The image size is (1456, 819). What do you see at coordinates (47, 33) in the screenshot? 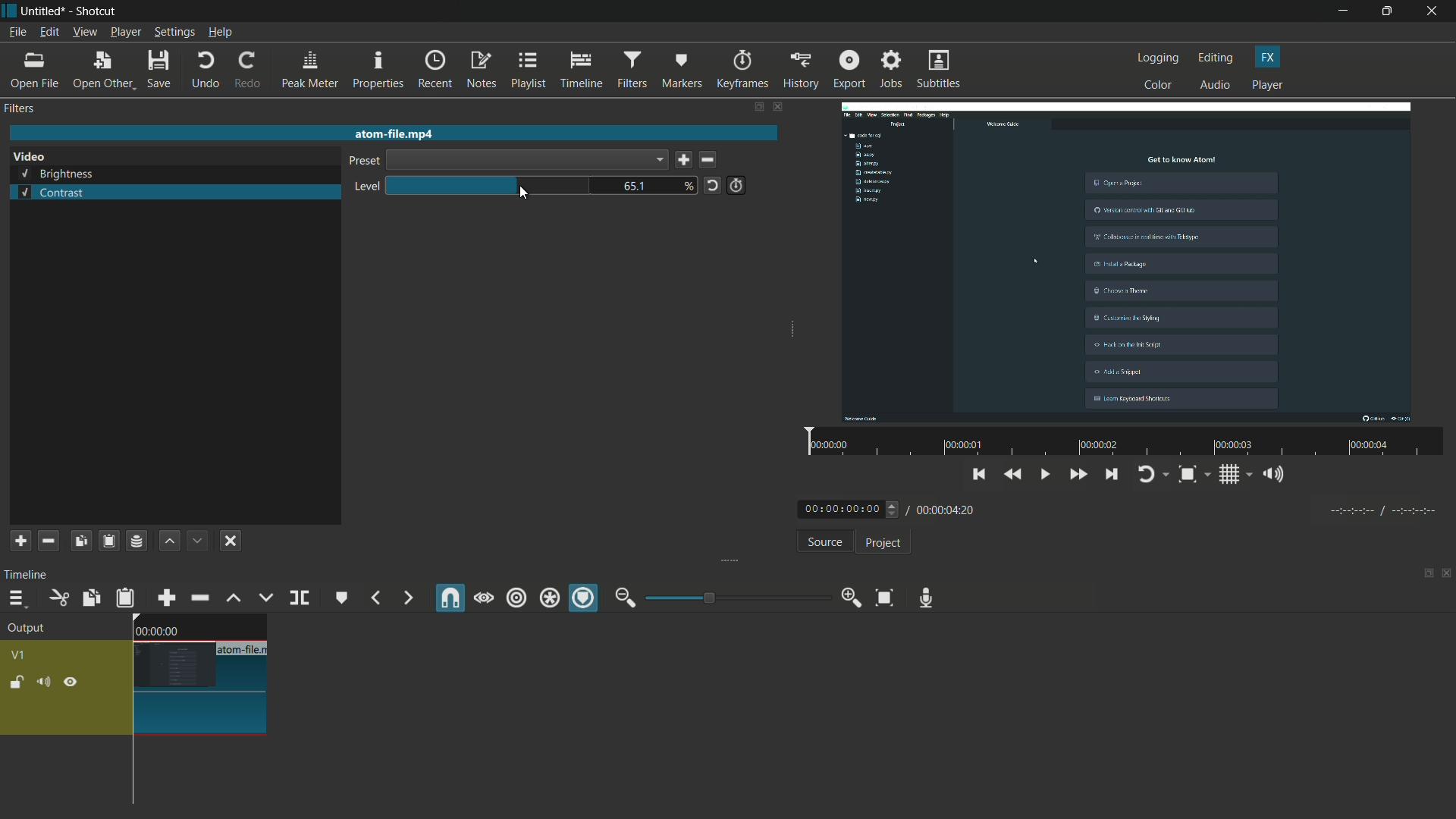
I see `edit menu` at bounding box center [47, 33].